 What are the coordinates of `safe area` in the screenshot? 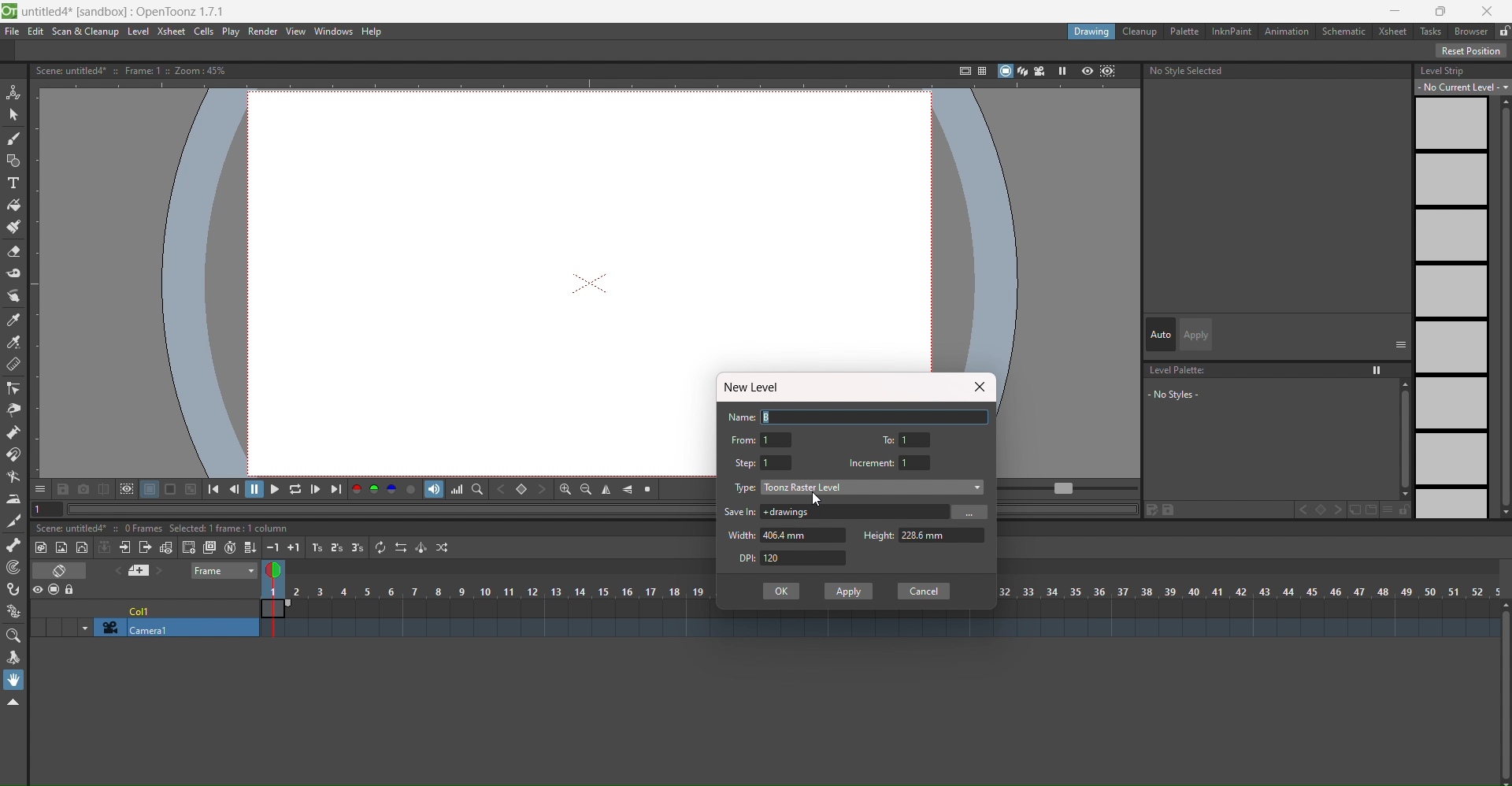 It's located at (961, 71).